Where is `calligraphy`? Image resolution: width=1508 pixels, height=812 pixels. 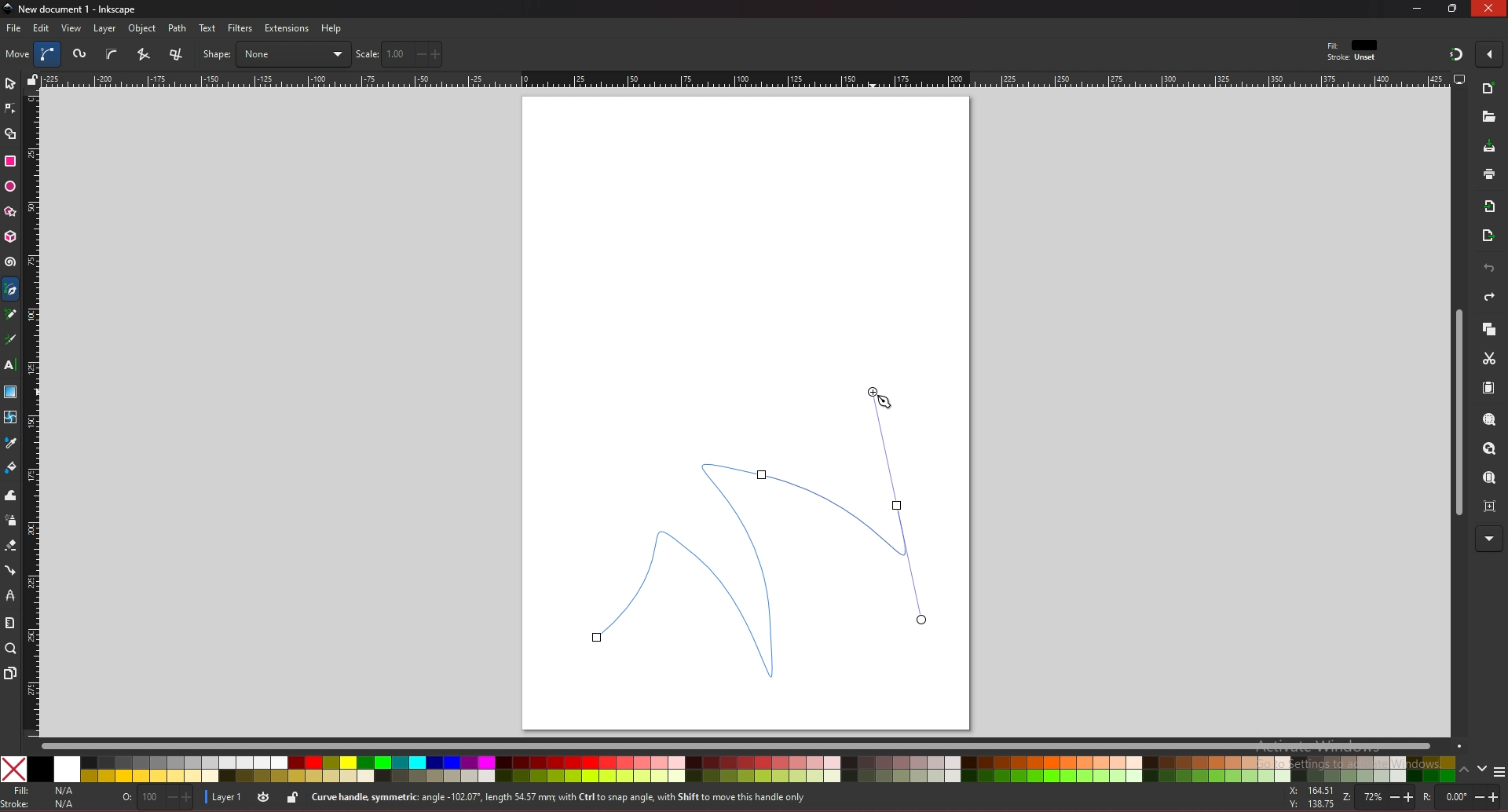 calligraphy is located at coordinates (13, 341).